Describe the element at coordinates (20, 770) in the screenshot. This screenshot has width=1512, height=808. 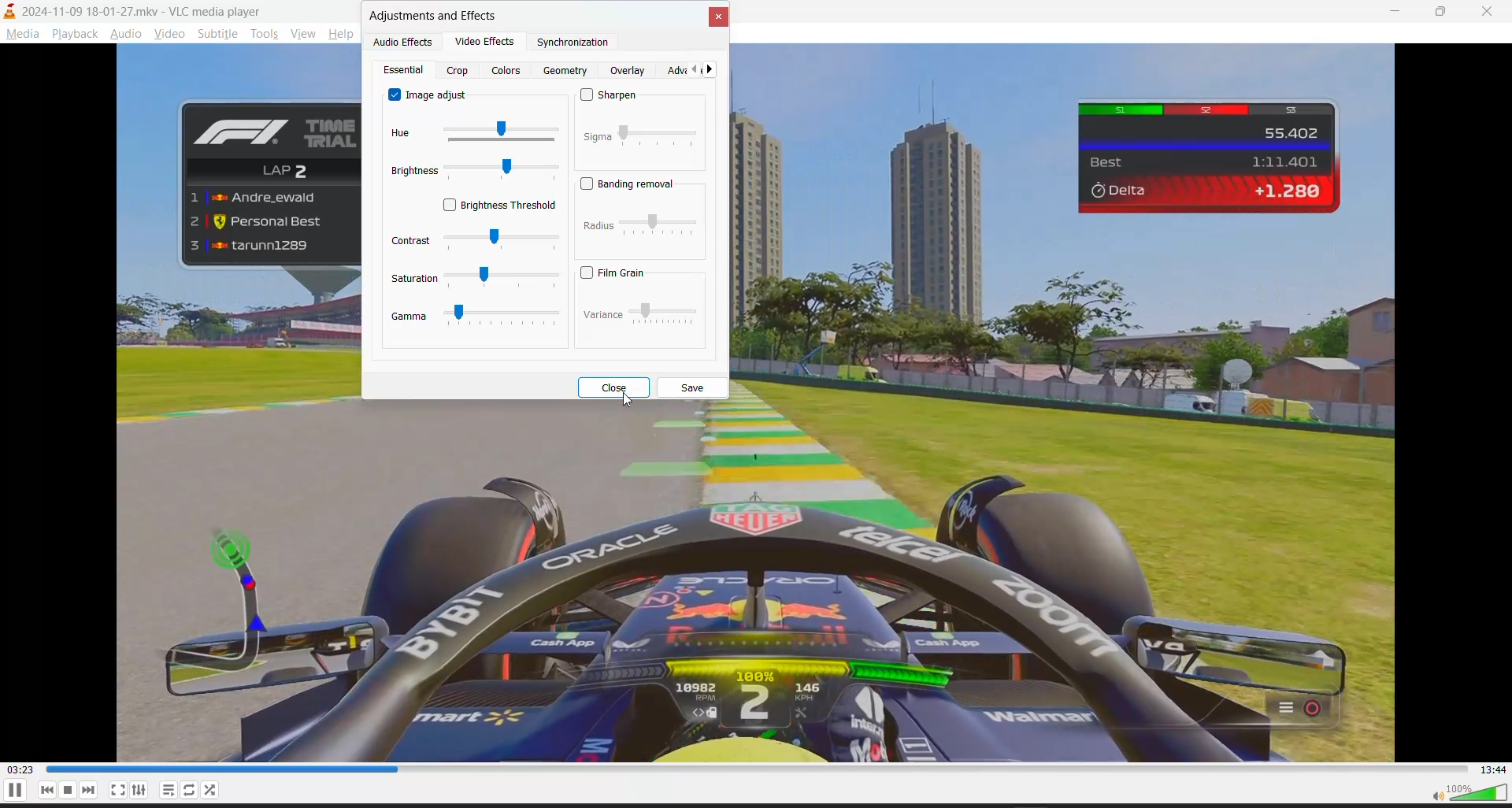
I see `current track time` at that location.